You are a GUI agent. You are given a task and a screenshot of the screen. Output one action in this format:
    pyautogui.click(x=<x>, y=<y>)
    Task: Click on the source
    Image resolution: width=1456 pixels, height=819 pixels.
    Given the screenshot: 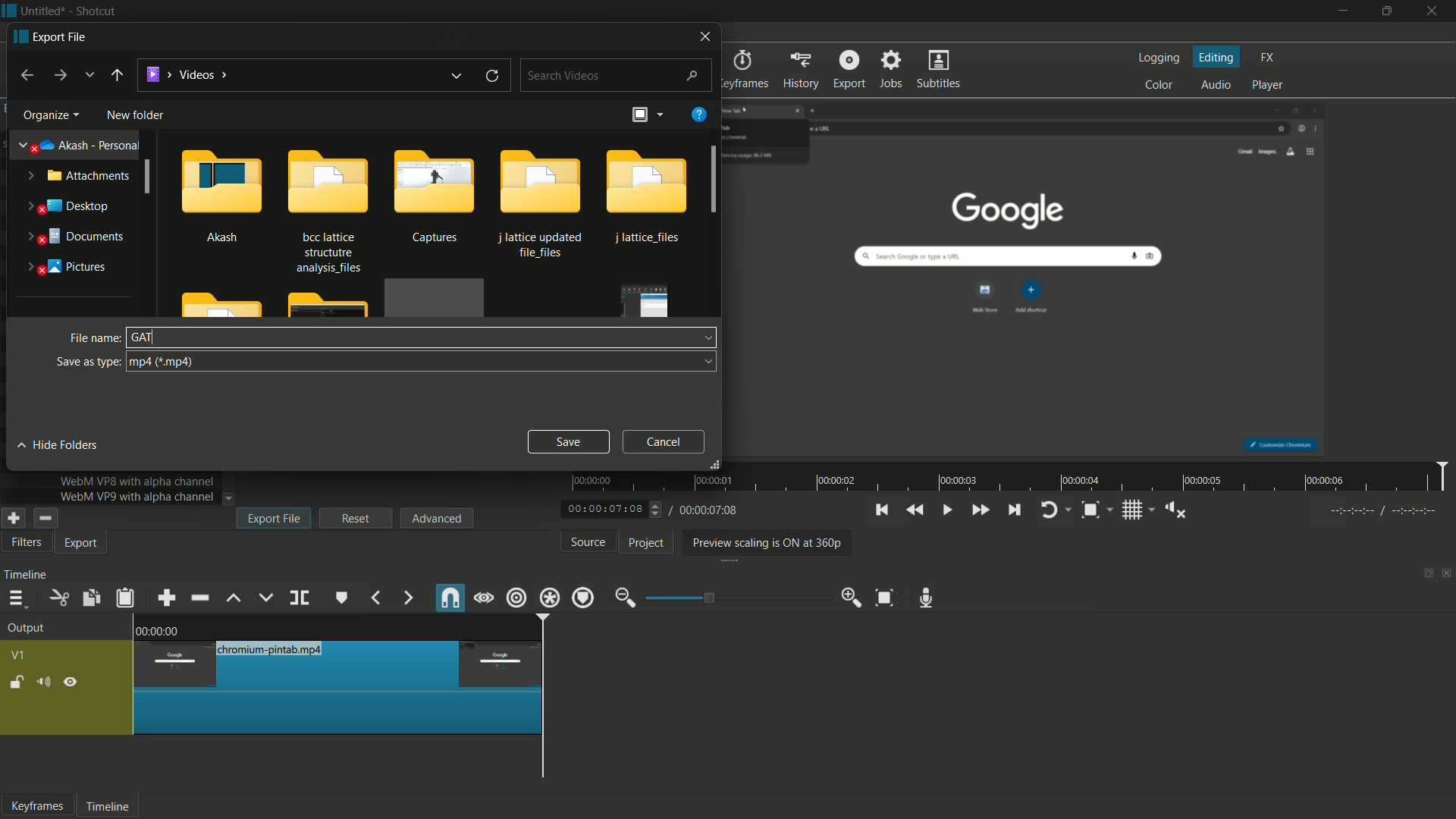 What is the action you would take?
    pyautogui.click(x=589, y=541)
    